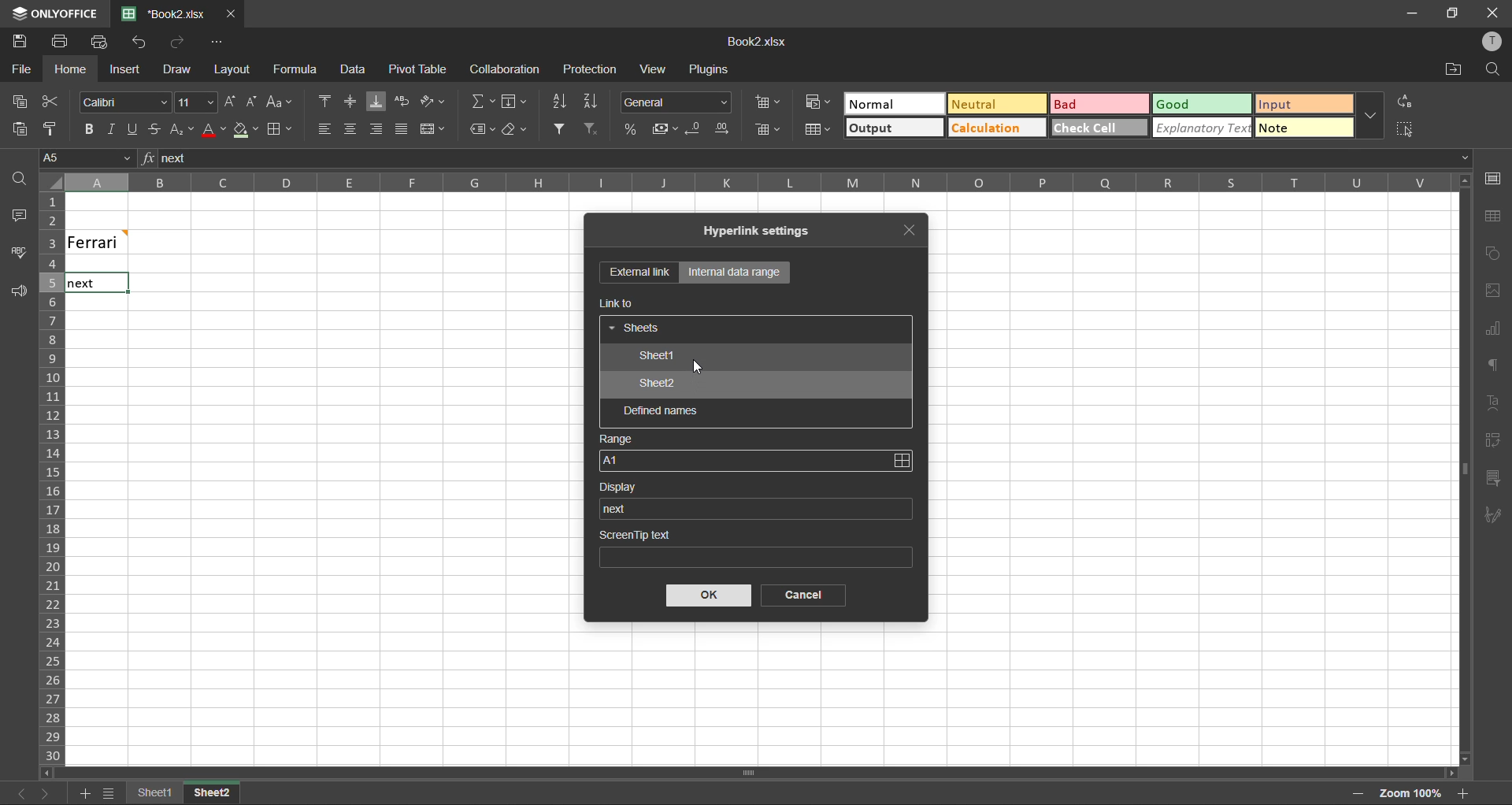 The image size is (1512, 805). I want to click on bad, so click(1094, 104).